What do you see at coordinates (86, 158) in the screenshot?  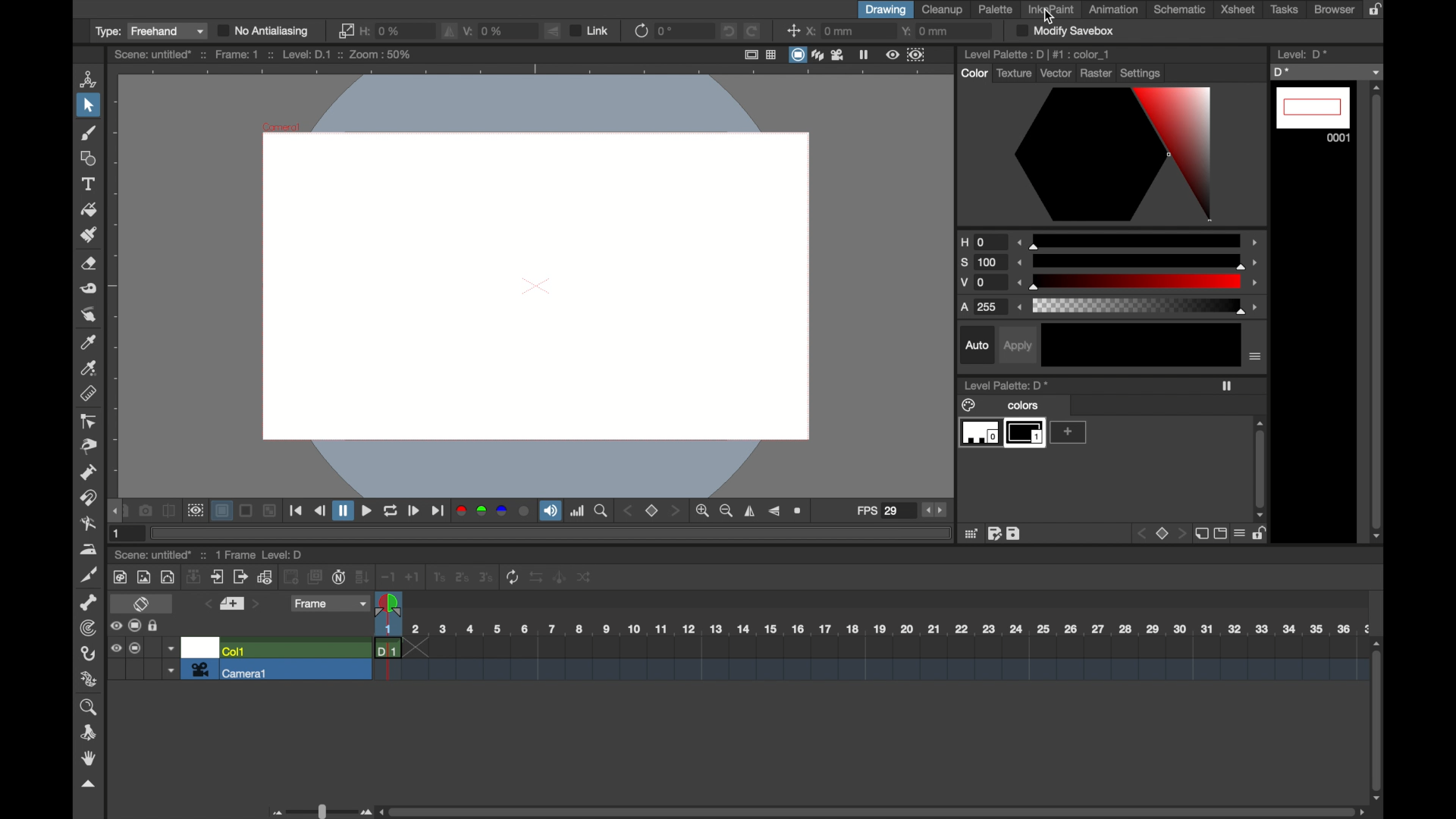 I see `shape tool` at bounding box center [86, 158].